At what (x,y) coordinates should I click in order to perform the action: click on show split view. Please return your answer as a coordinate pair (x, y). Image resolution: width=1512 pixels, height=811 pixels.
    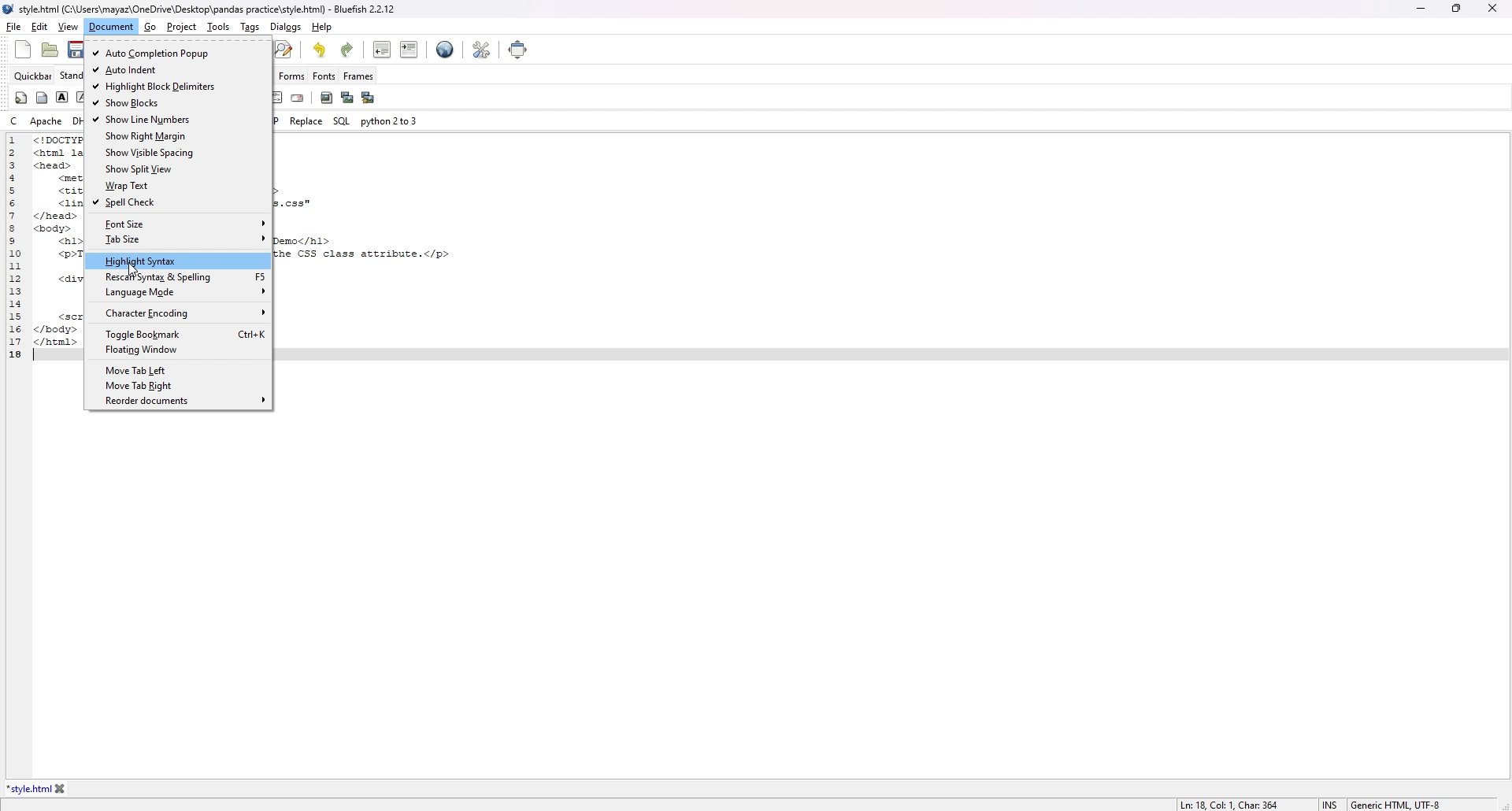
    Looking at the image, I should click on (177, 169).